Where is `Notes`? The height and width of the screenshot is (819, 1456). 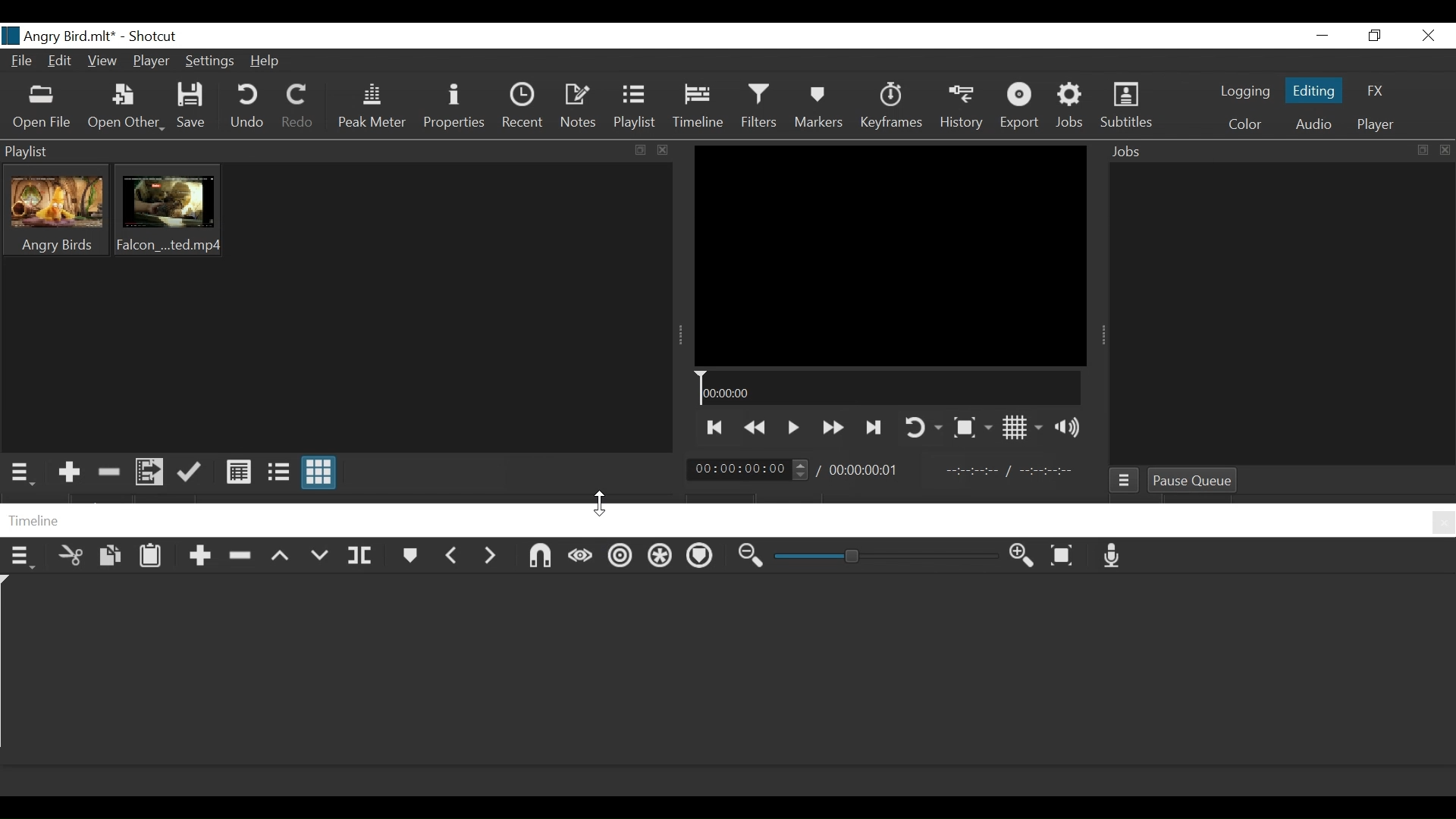 Notes is located at coordinates (577, 108).